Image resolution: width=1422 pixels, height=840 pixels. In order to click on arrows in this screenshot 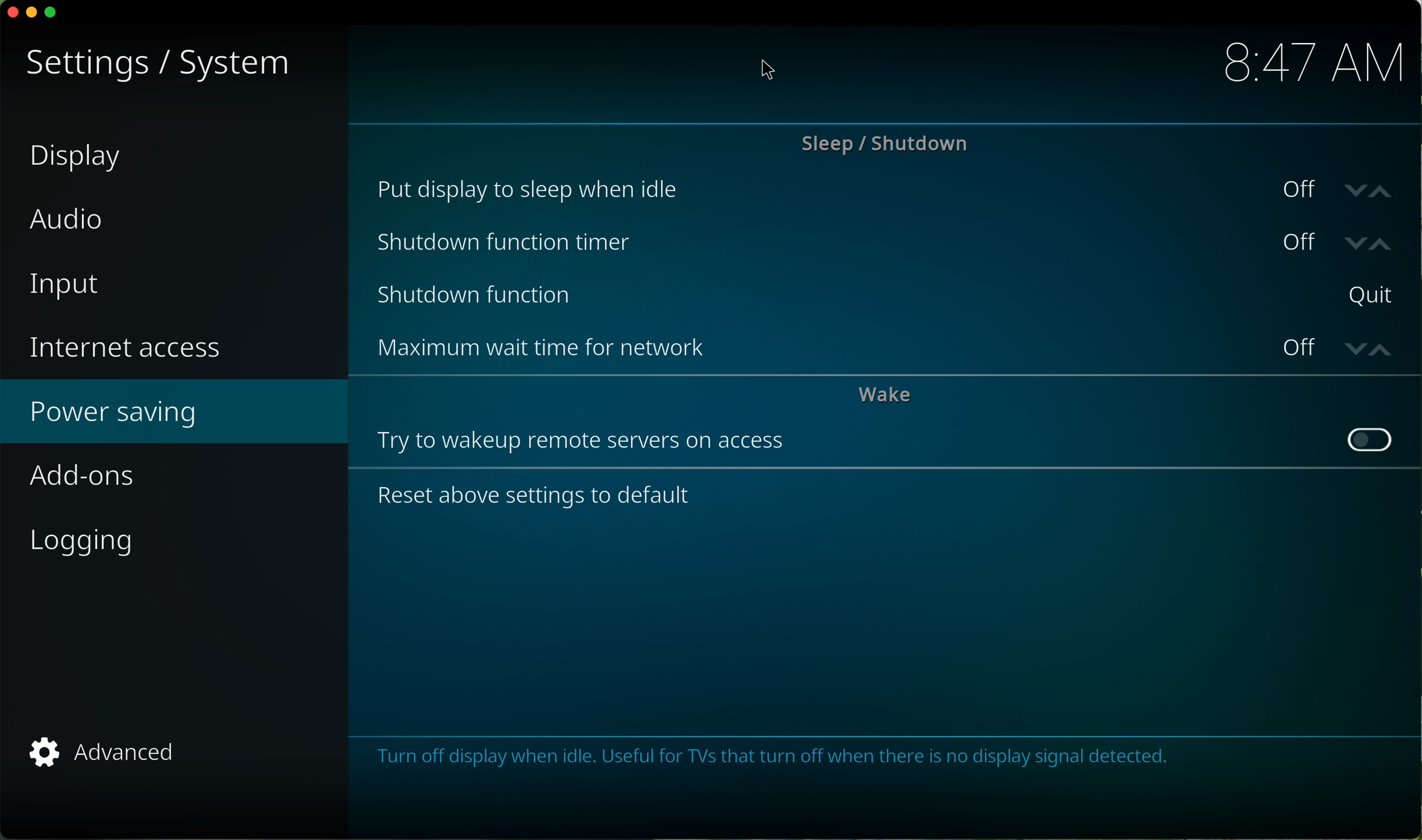, I will do `click(1373, 246)`.